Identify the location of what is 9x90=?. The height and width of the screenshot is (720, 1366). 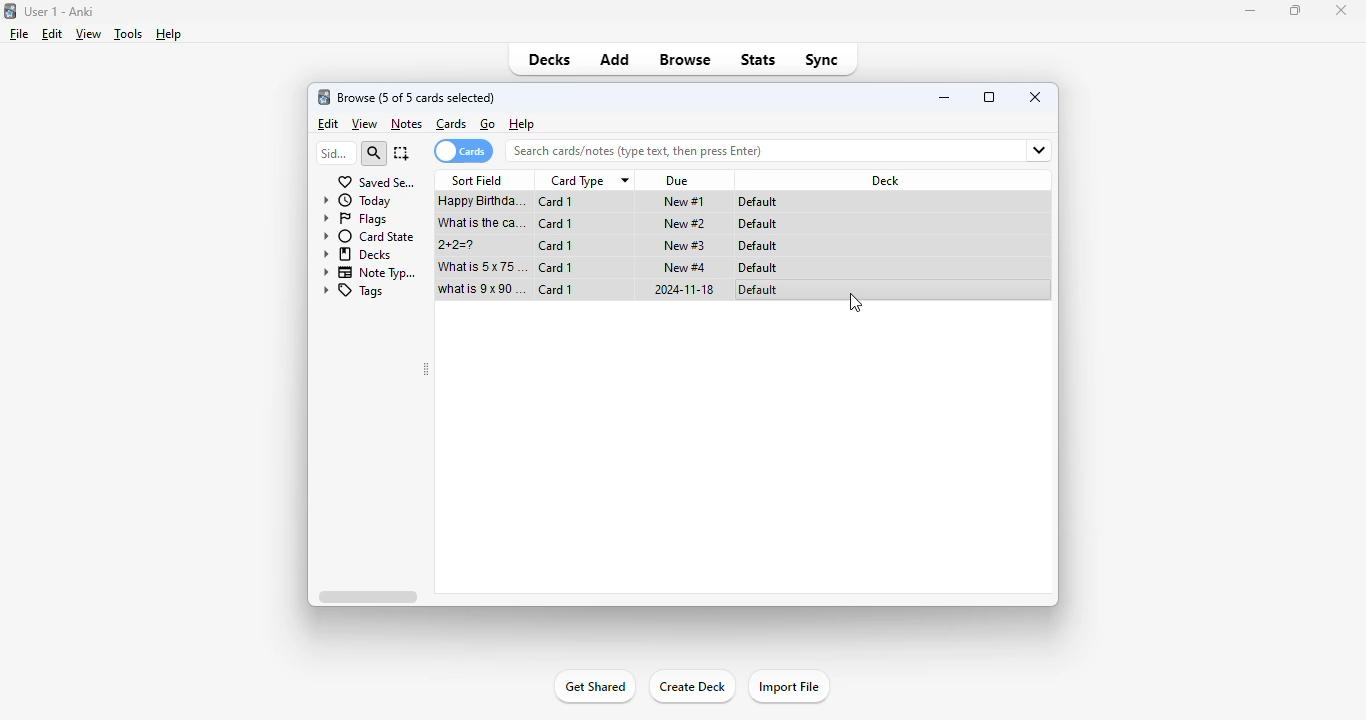
(482, 290).